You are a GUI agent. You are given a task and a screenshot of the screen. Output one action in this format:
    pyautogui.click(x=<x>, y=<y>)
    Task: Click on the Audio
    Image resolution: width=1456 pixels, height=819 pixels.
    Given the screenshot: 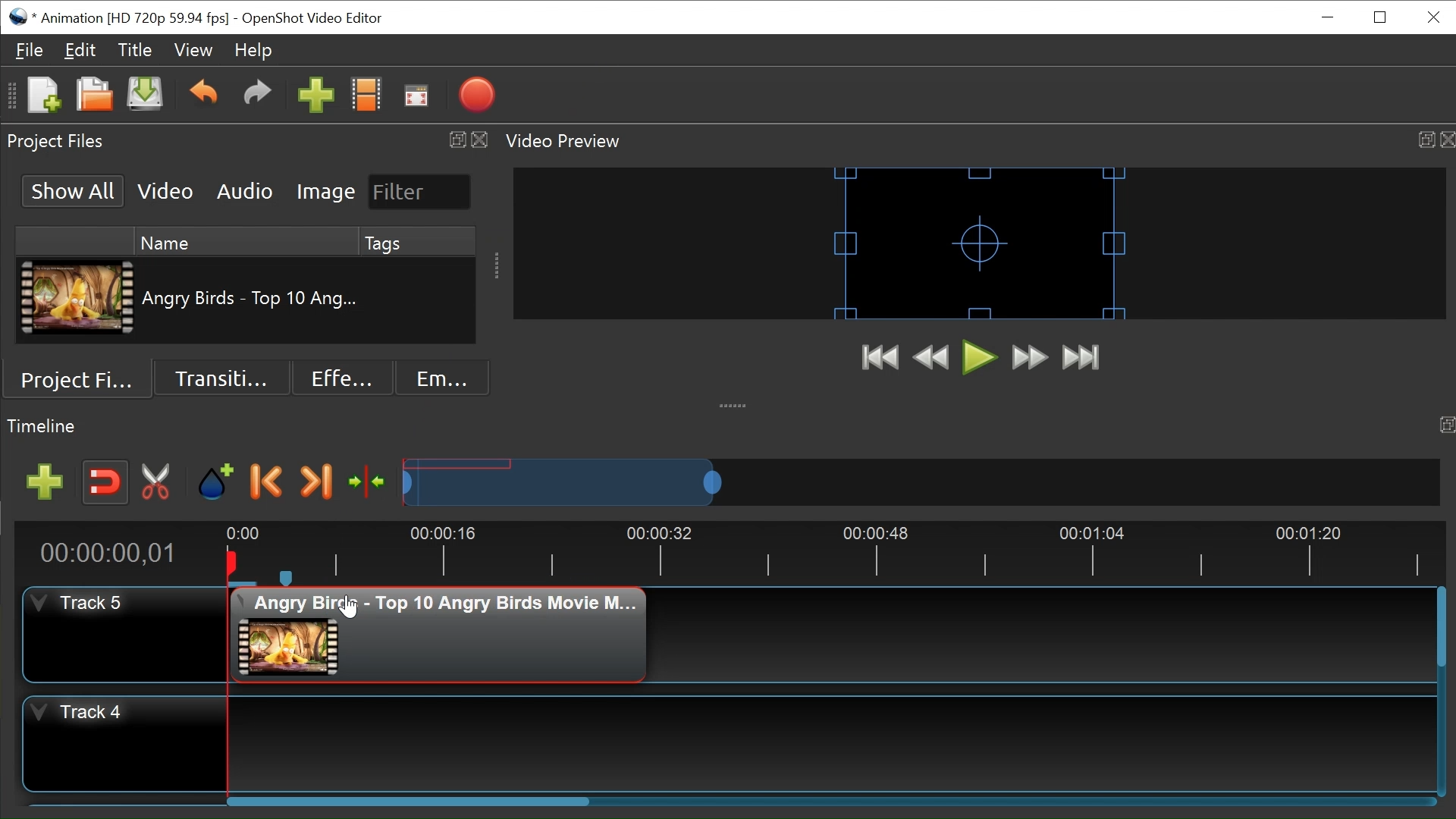 What is the action you would take?
    pyautogui.click(x=244, y=192)
    